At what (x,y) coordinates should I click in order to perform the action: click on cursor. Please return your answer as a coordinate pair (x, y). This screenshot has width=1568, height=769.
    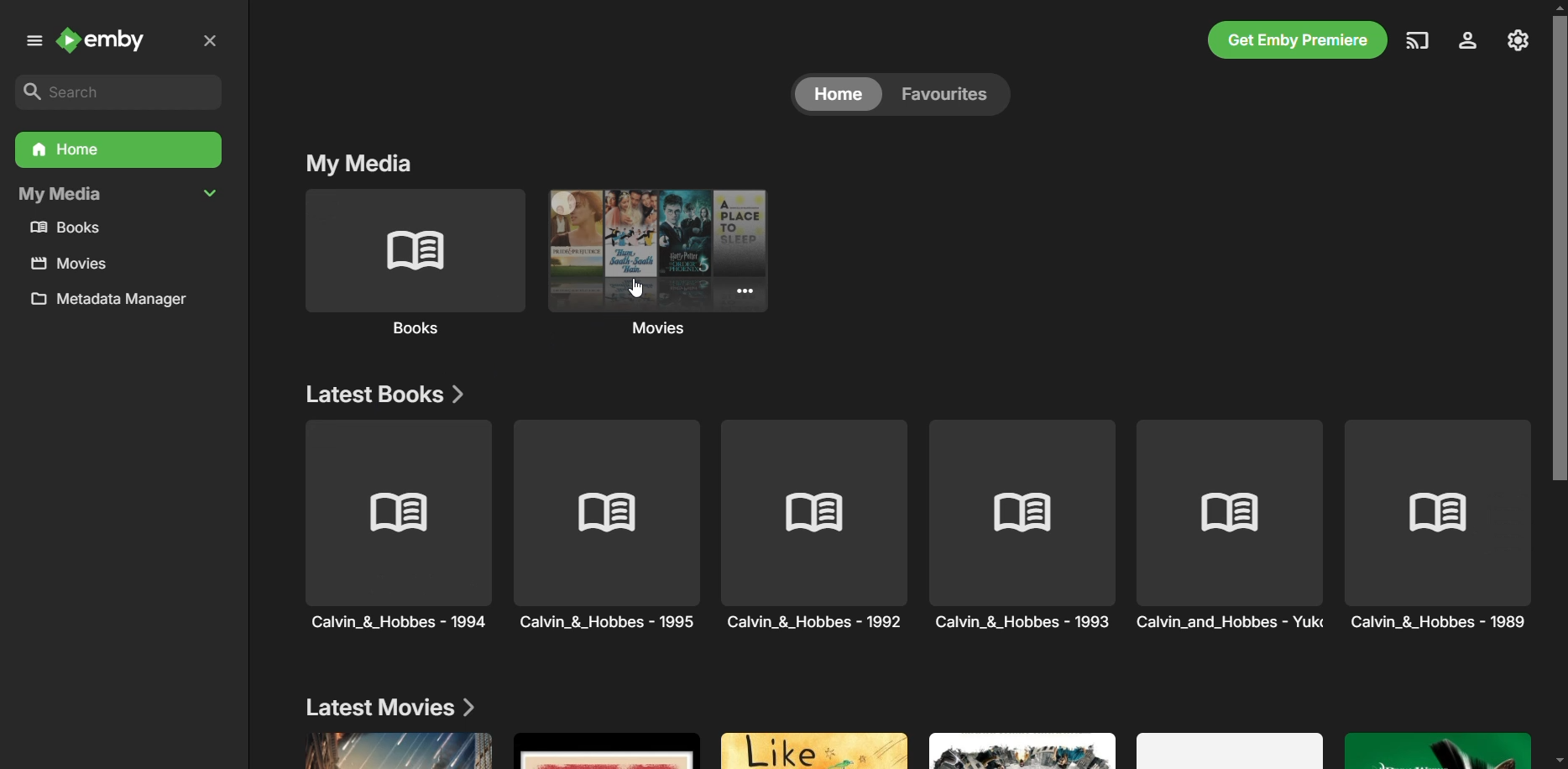
    Looking at the image, I should click on (635, 290).